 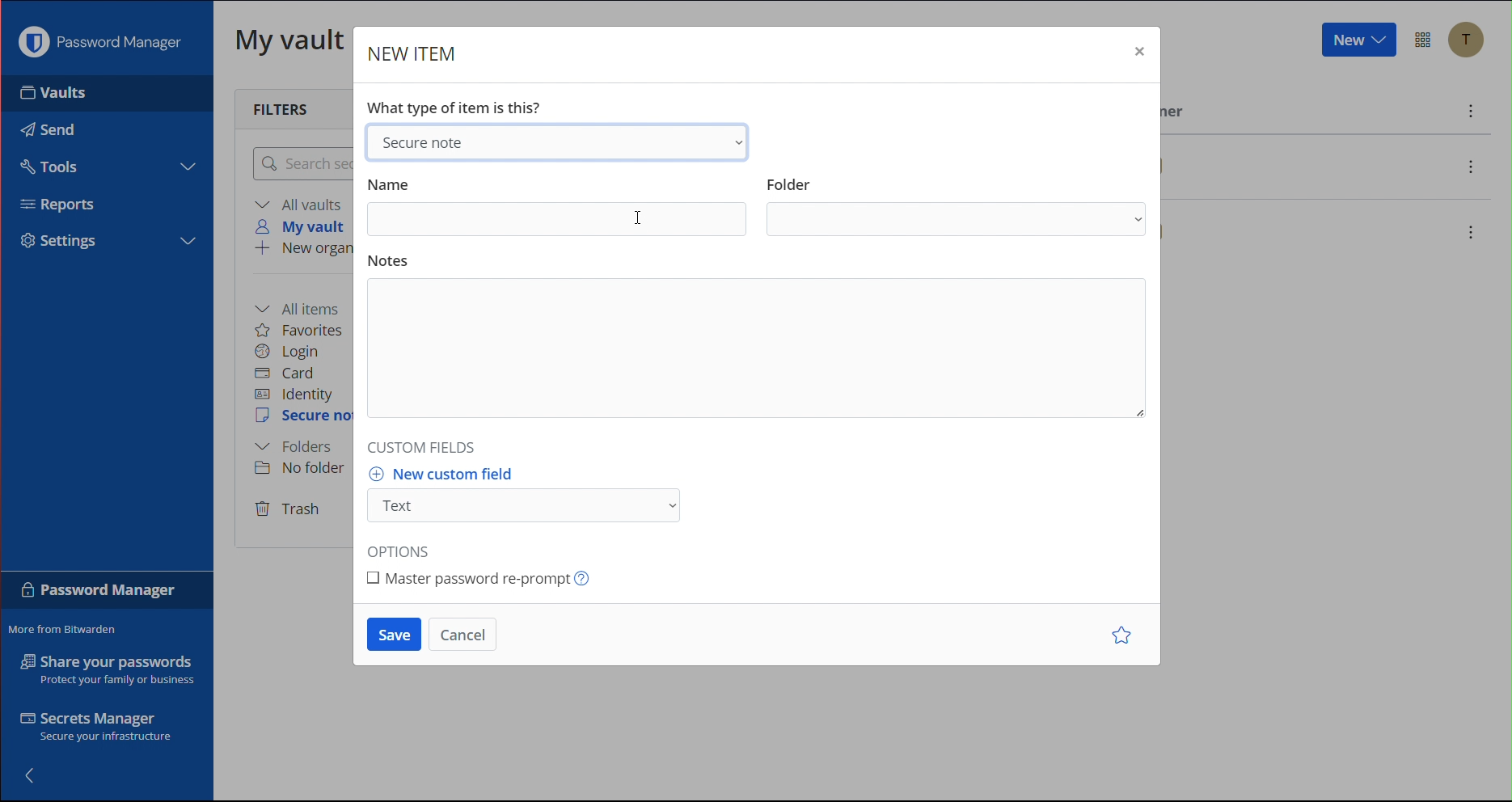 I want to click on Folders, so click(x=298, y=446).